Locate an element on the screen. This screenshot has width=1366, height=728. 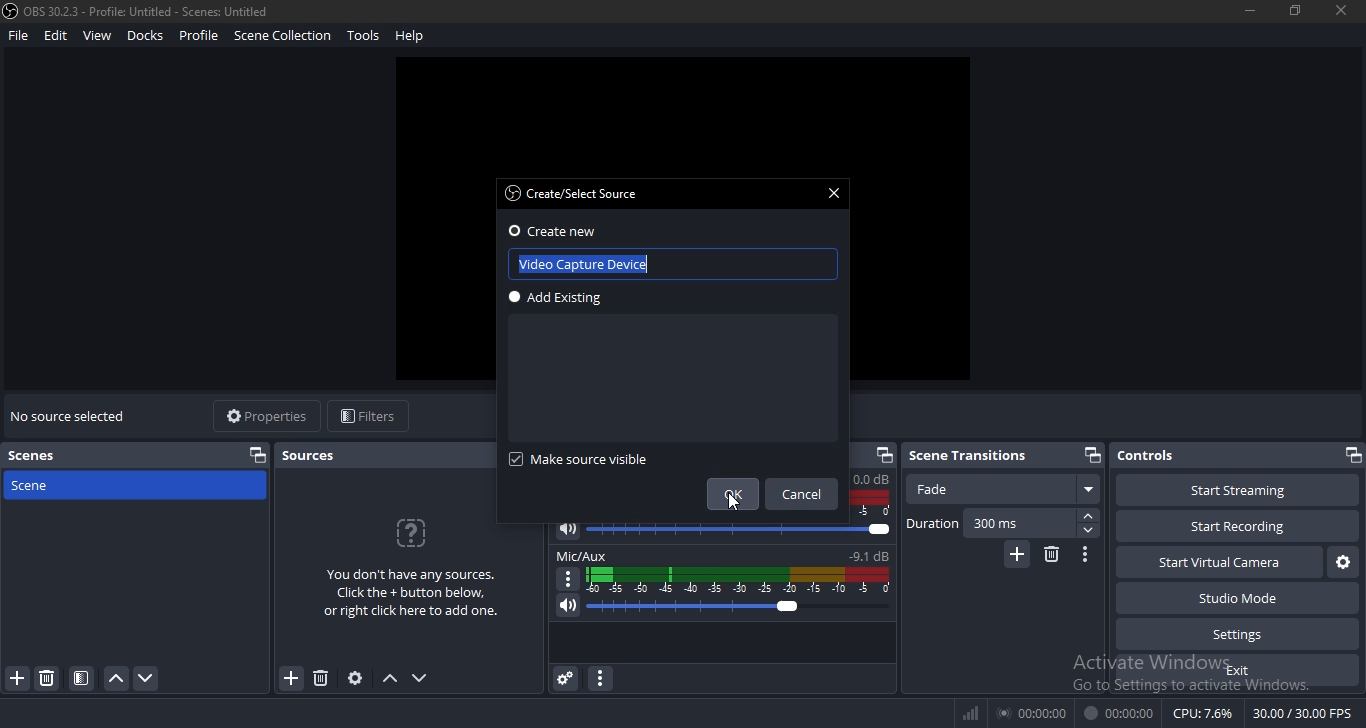
create/select source is located at coordinates (571, 194).